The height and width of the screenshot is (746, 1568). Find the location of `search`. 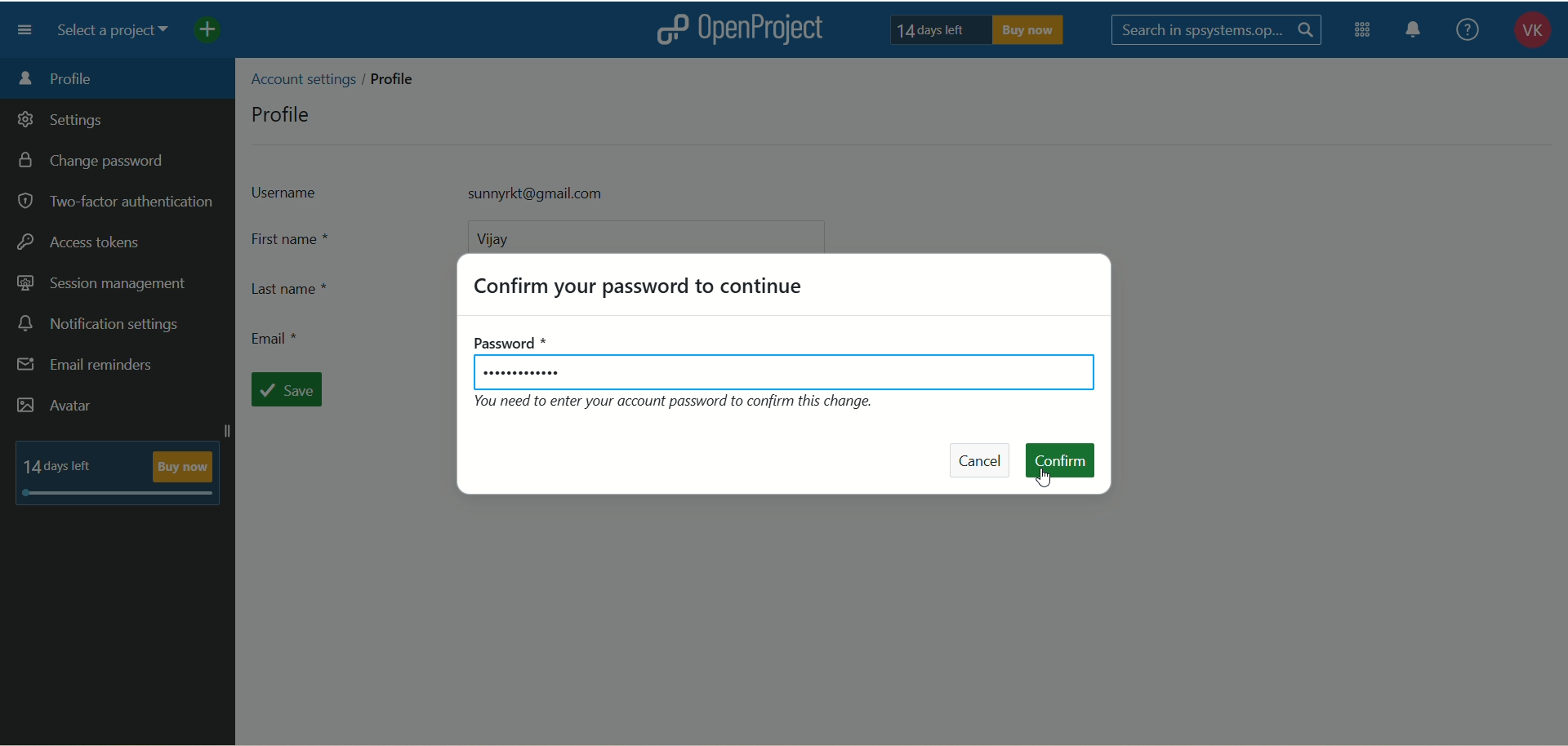

search is located at coordinates (1218, 30).